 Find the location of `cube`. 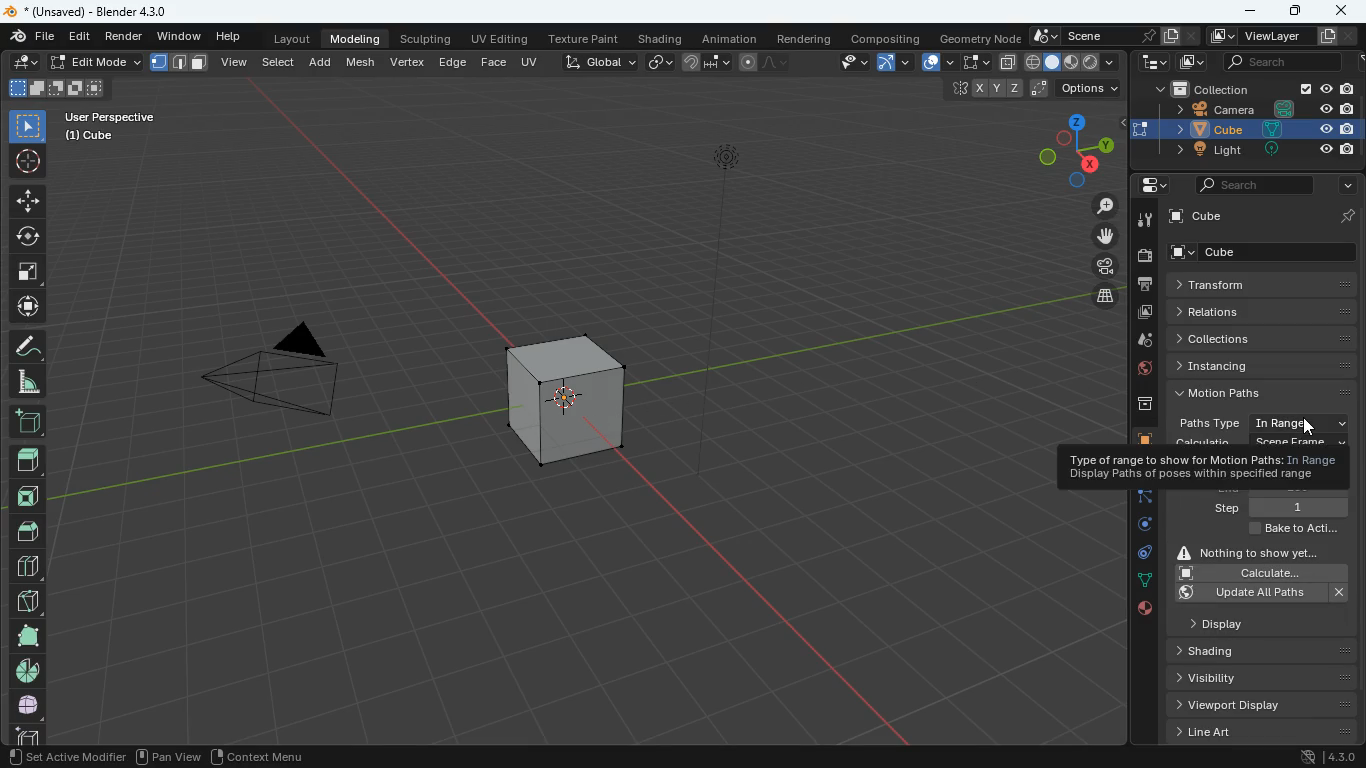

cube is located at coordinates (1260, 128).